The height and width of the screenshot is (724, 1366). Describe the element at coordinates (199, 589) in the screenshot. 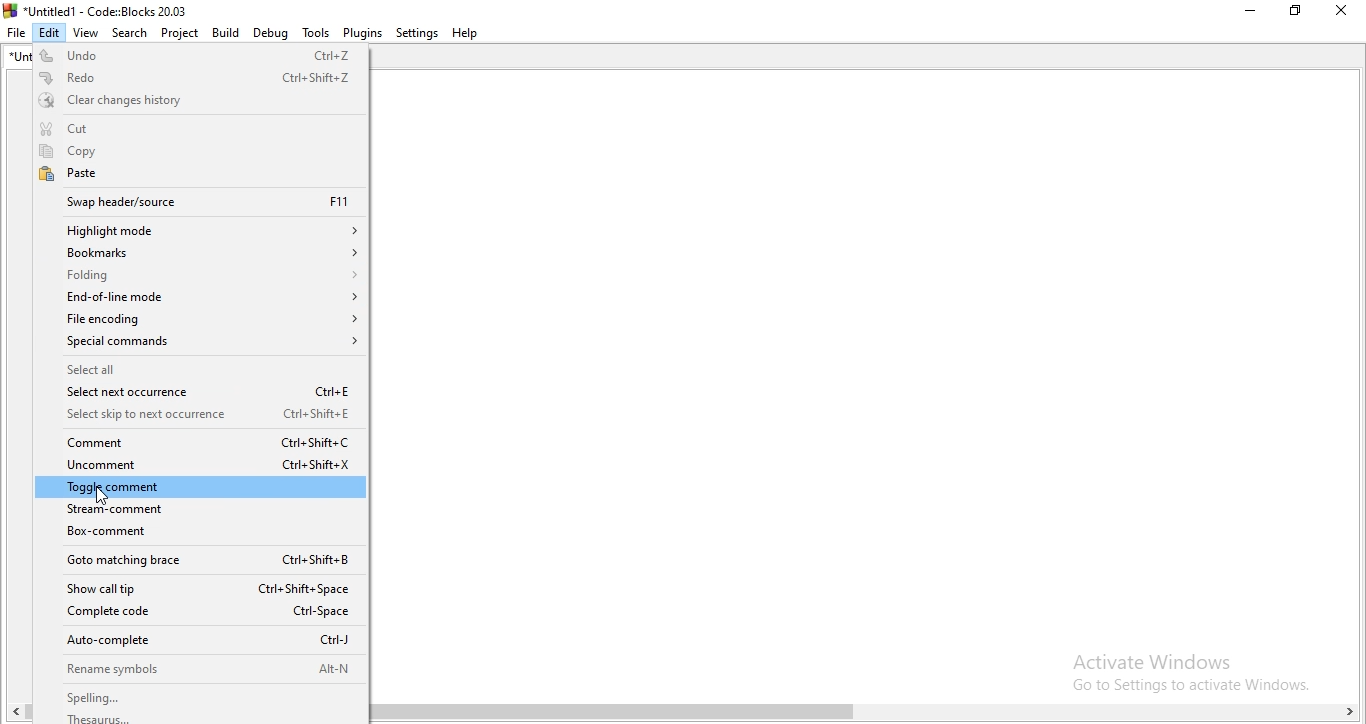

I see `Show call tip` at that location.